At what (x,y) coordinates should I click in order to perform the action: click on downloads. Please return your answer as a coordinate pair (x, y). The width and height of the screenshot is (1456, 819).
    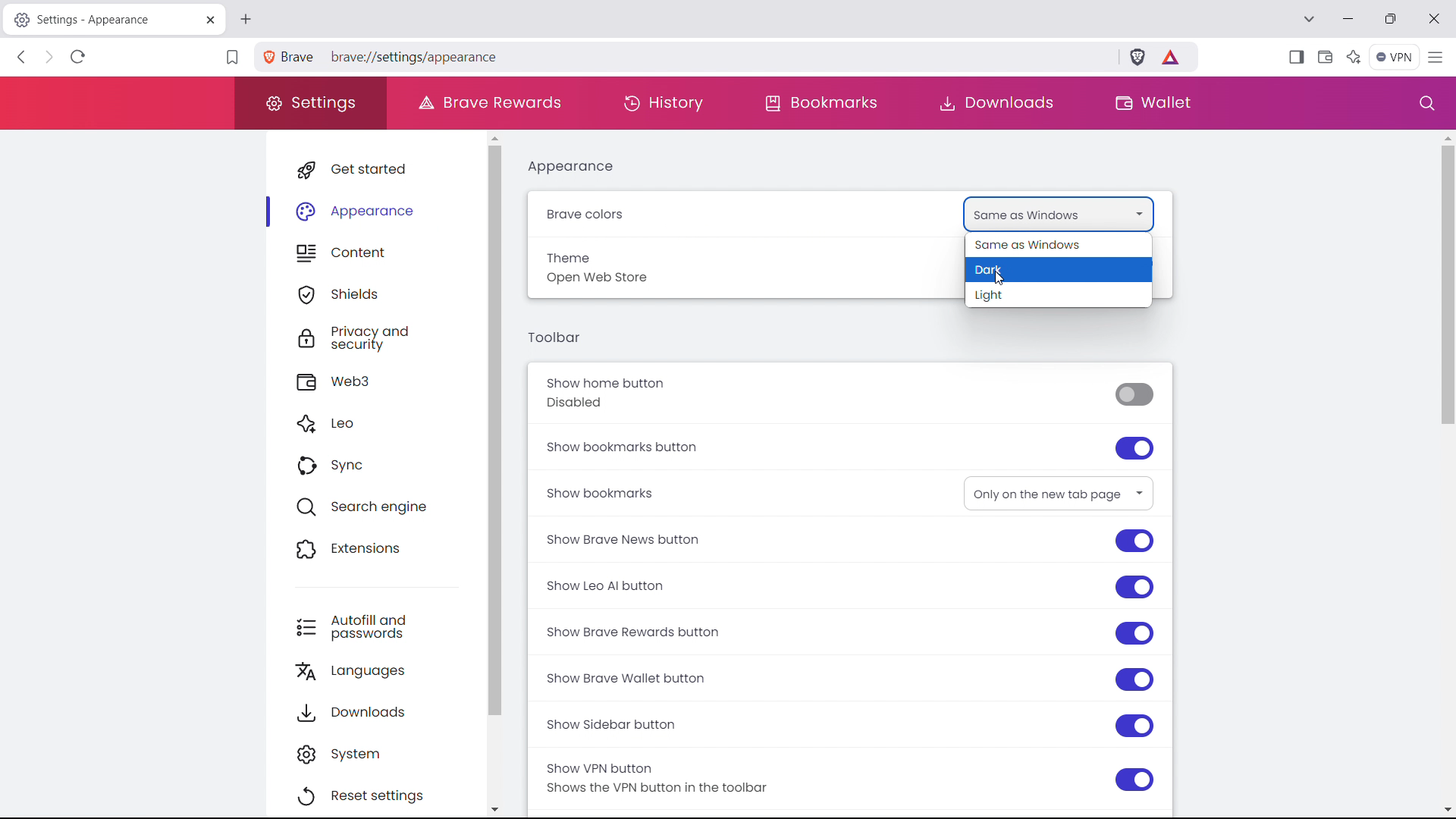
    Looking at the image, I should click on (384, 709).